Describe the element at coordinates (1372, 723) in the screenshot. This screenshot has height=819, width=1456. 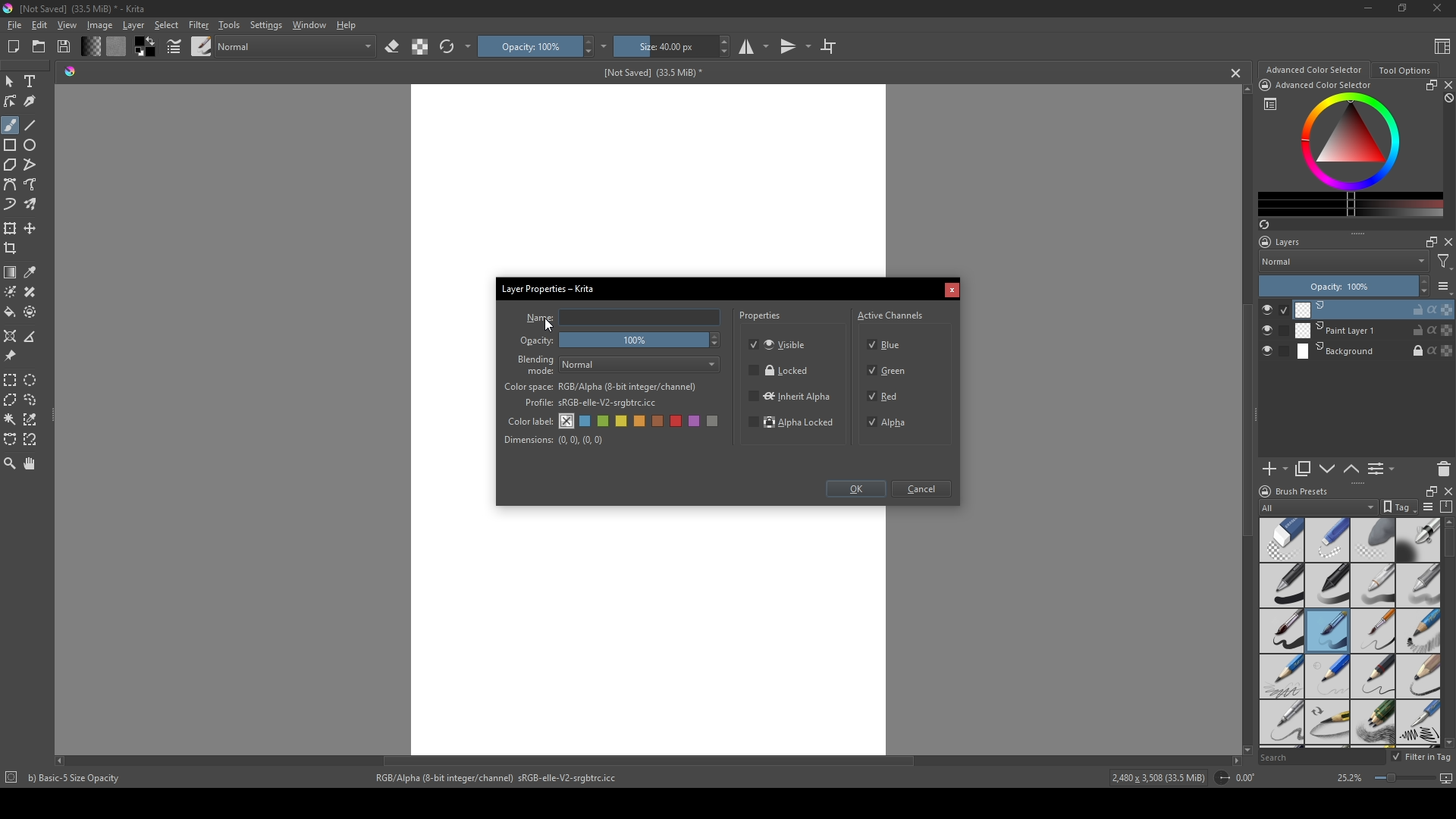
I see `pencils` at that location.